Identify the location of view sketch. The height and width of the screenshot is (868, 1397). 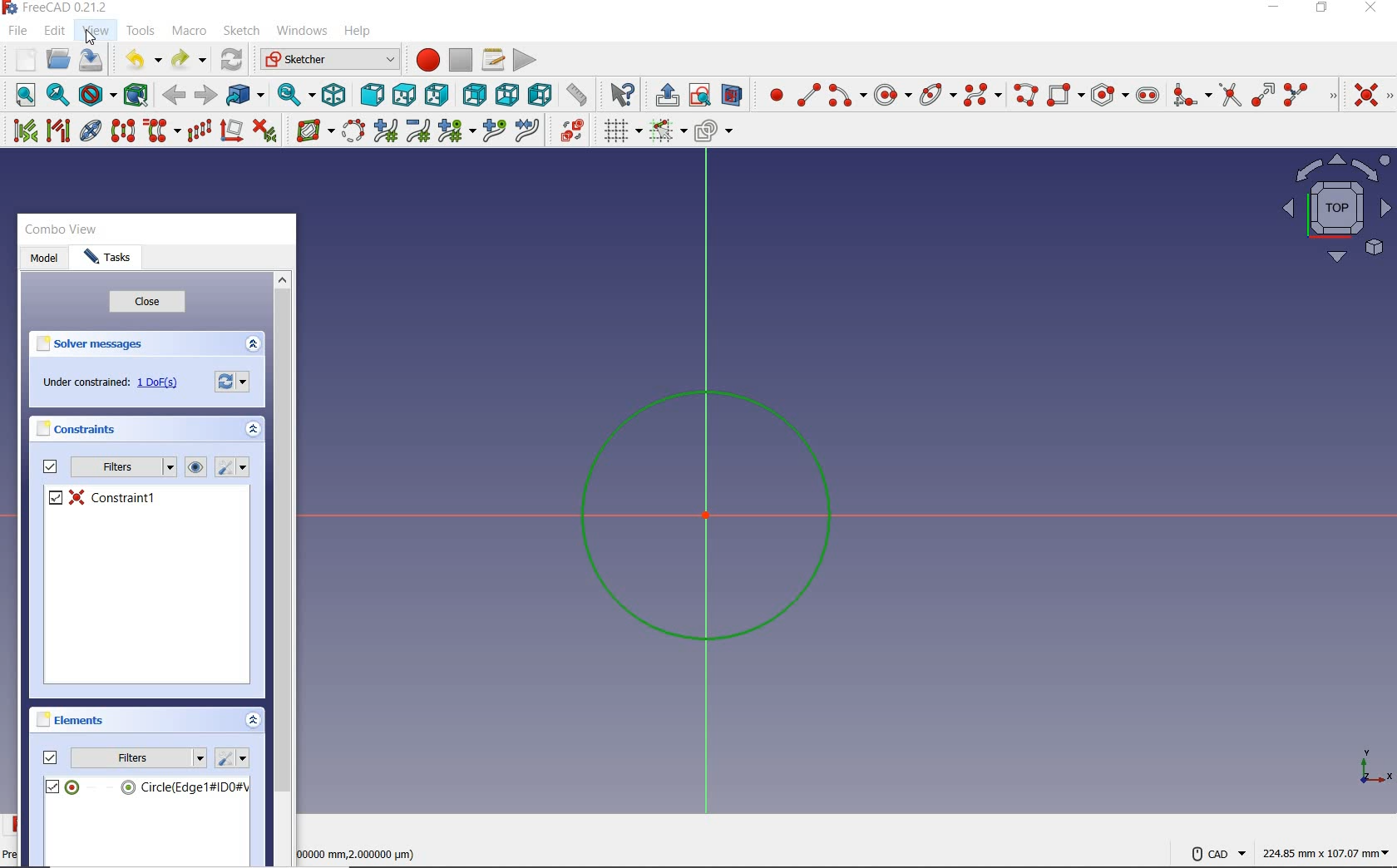
(698, 93).